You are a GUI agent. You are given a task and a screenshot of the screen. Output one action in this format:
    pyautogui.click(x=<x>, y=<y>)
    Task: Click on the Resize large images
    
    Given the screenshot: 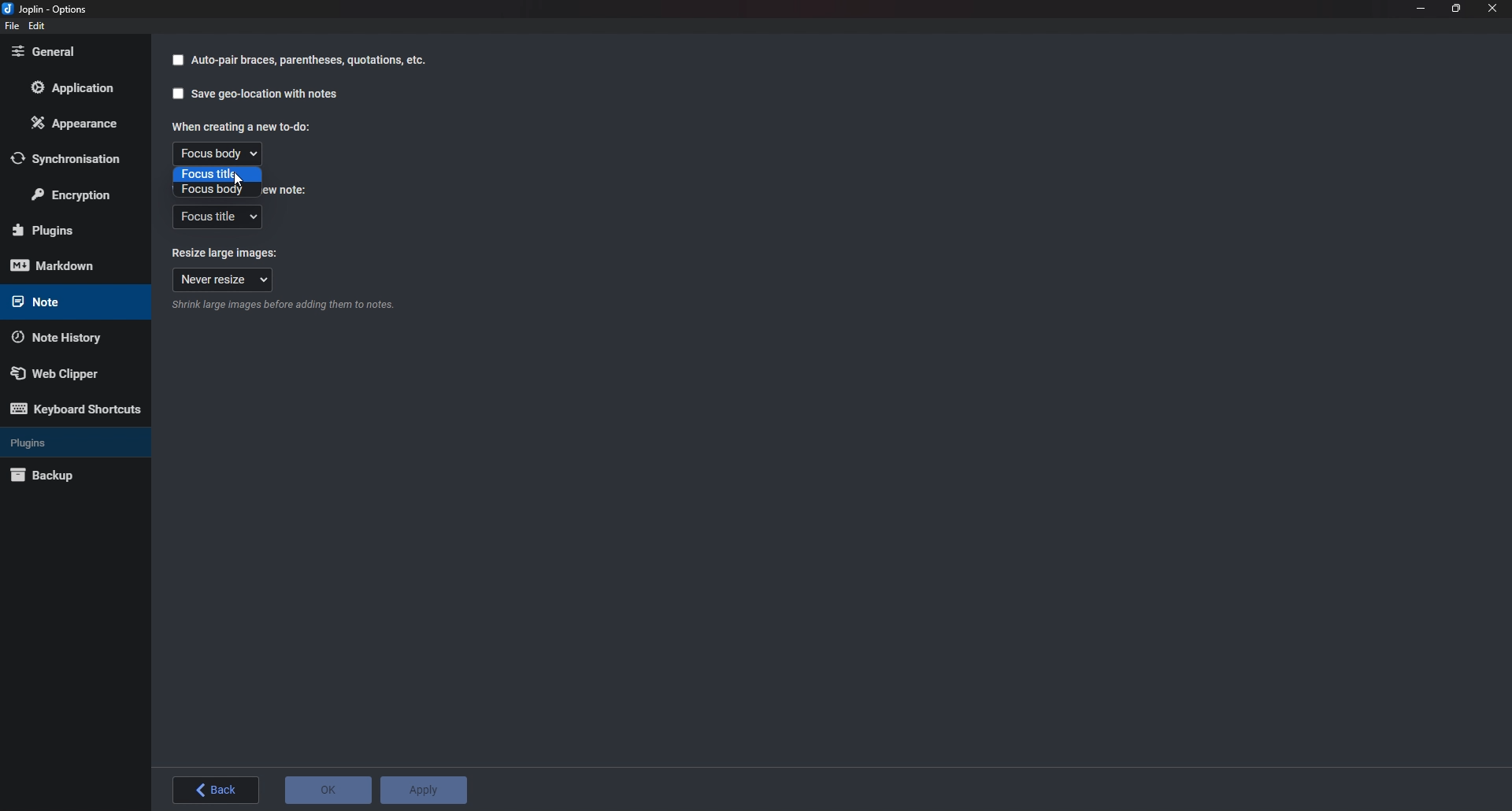 What is the action you would take?
    pyautogui.click(x=227, y=253)
    